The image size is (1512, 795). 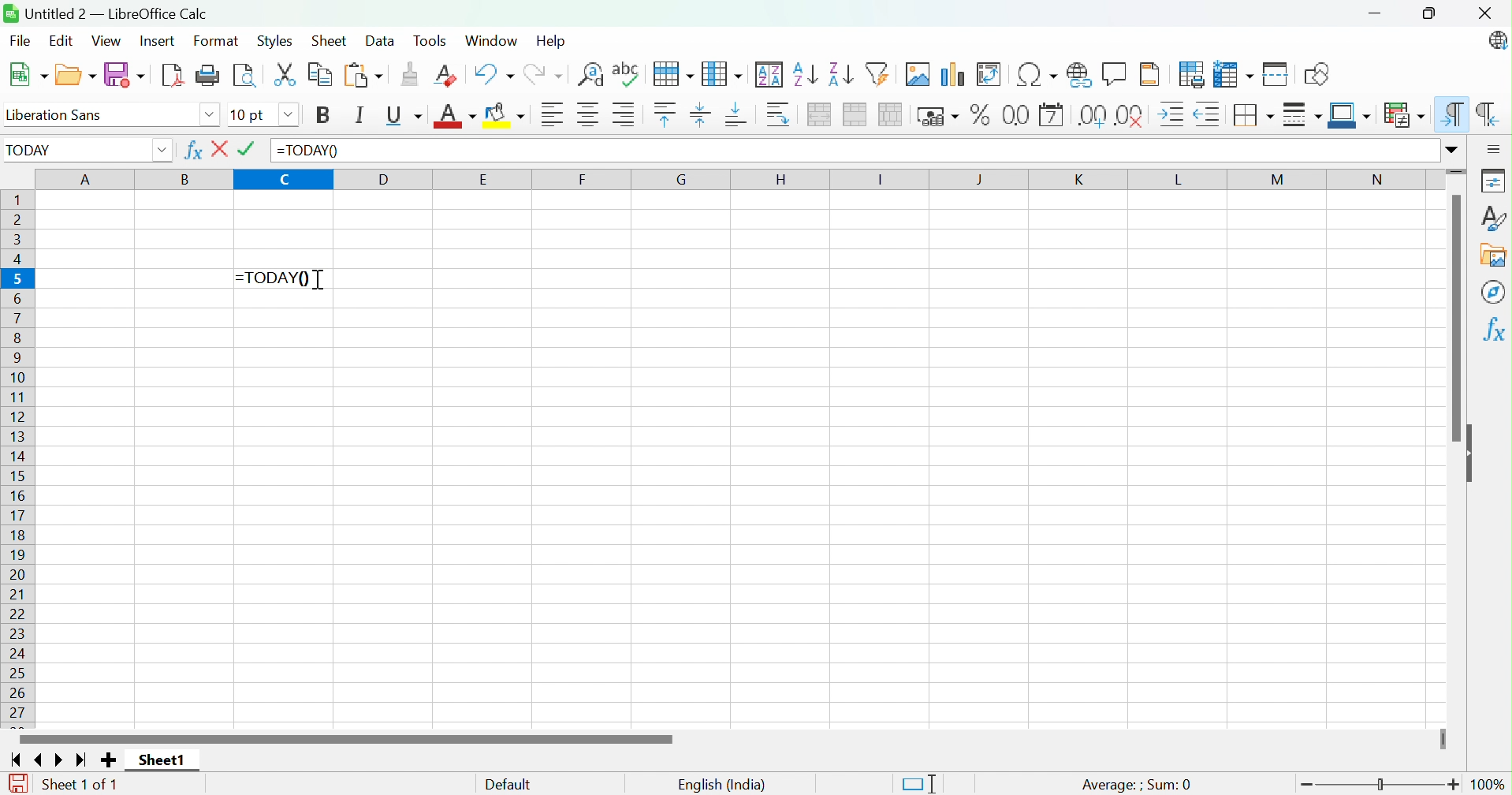 I want to click on Paste, so click(x=361, y=74).